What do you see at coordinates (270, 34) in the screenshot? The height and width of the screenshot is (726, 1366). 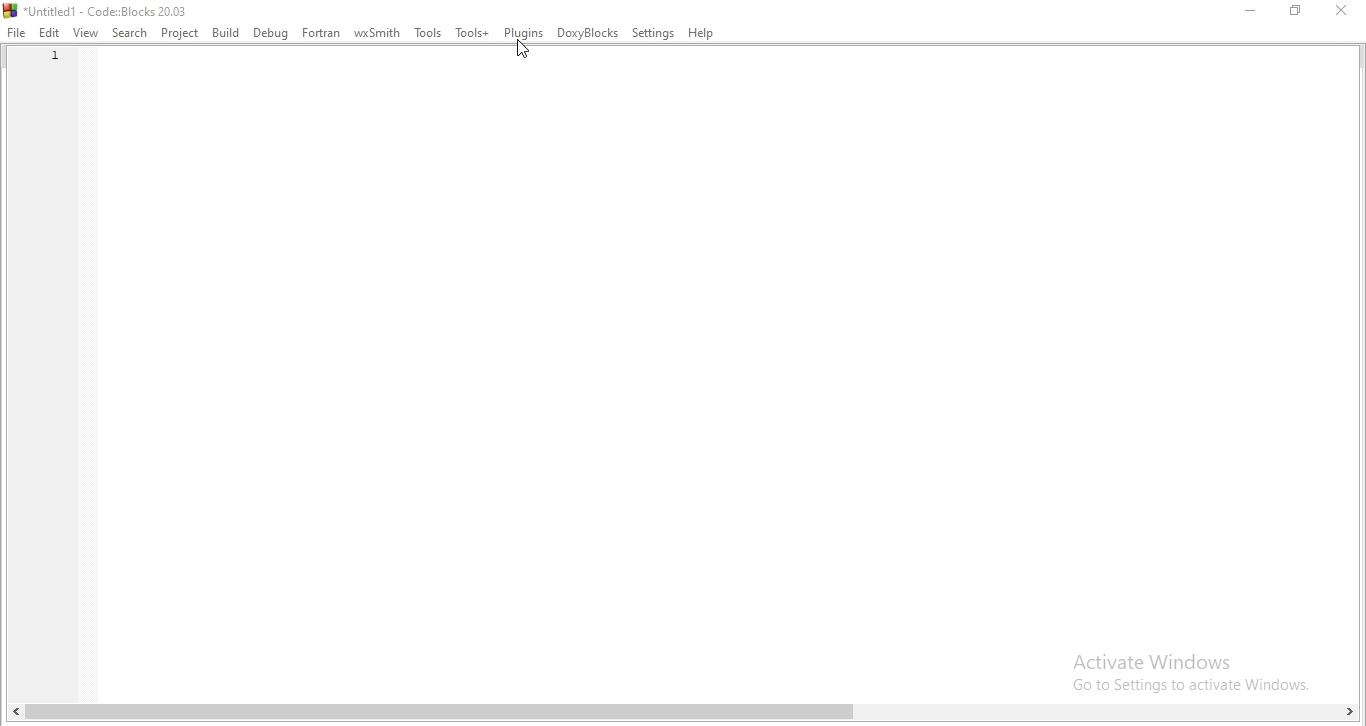 I see `Debug` at bounding box center [270, 34].